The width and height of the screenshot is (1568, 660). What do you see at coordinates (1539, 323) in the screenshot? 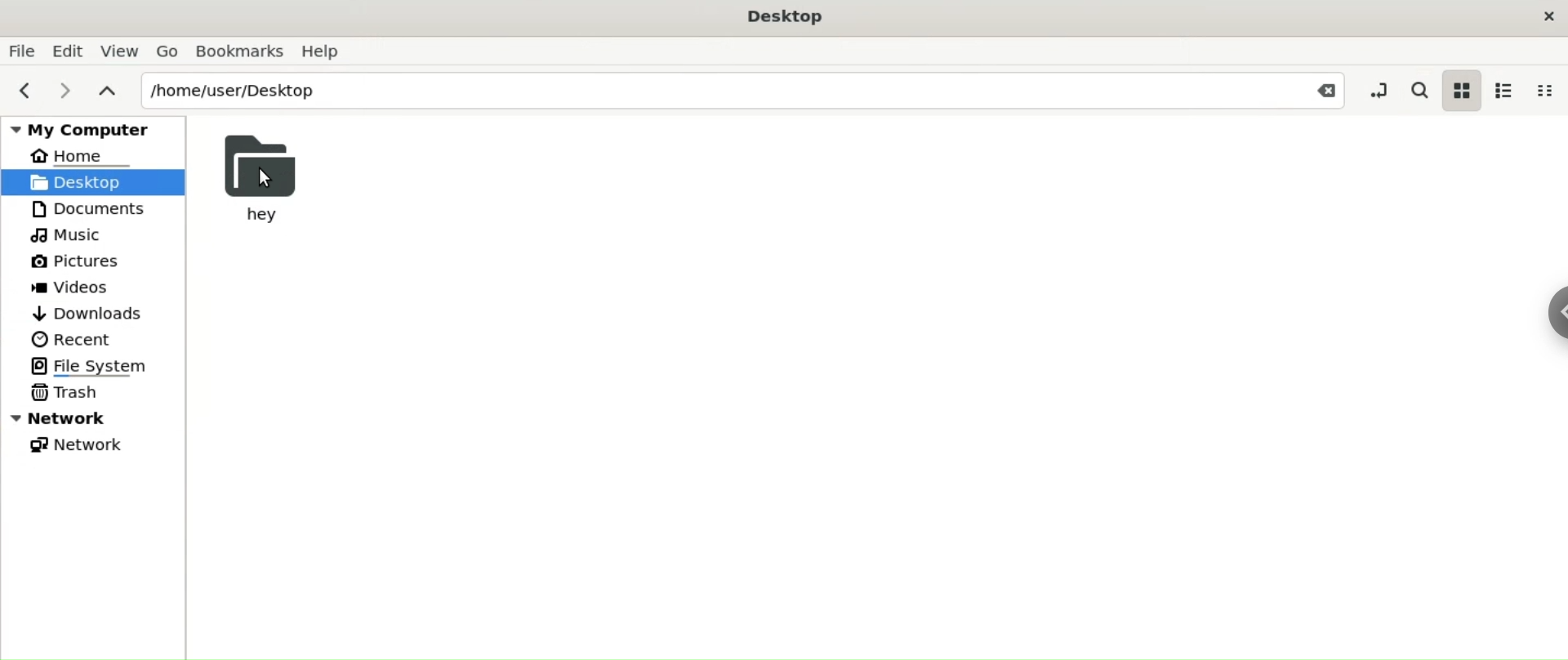
I see `Sidebar` at bounding box center [1539, 323].